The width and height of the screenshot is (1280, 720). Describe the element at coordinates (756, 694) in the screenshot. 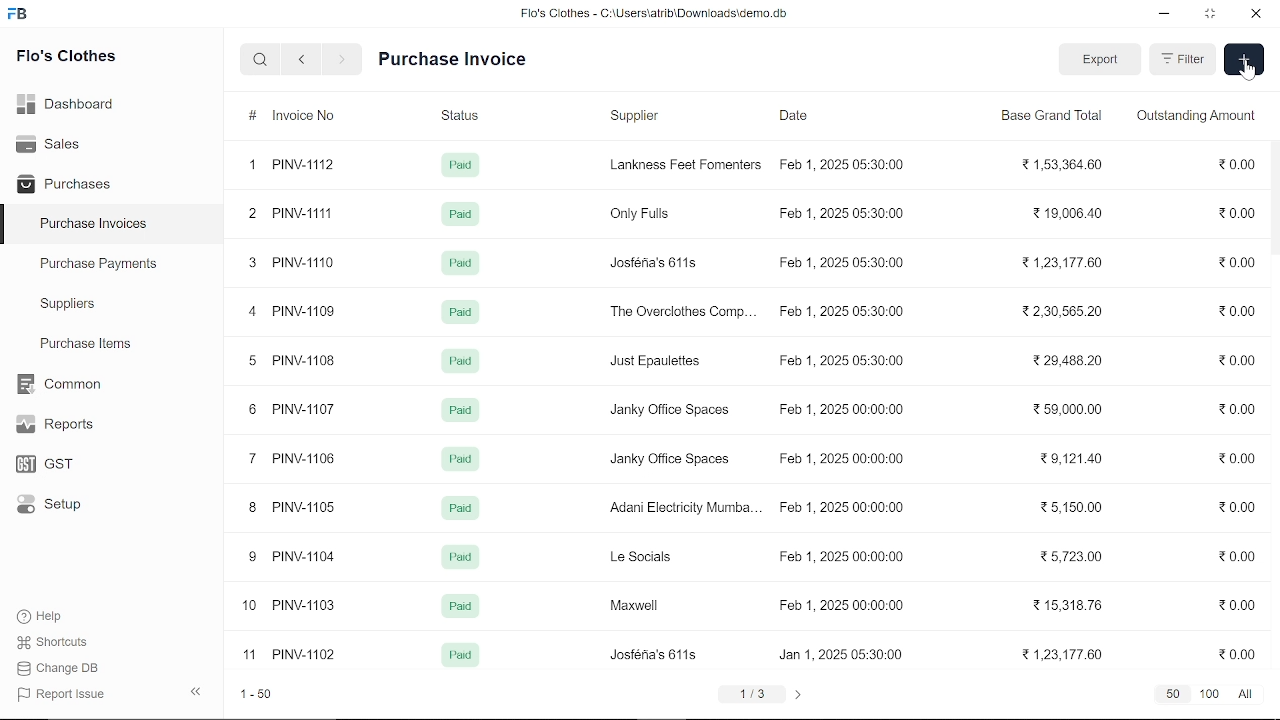

I see `1/3` at that location.